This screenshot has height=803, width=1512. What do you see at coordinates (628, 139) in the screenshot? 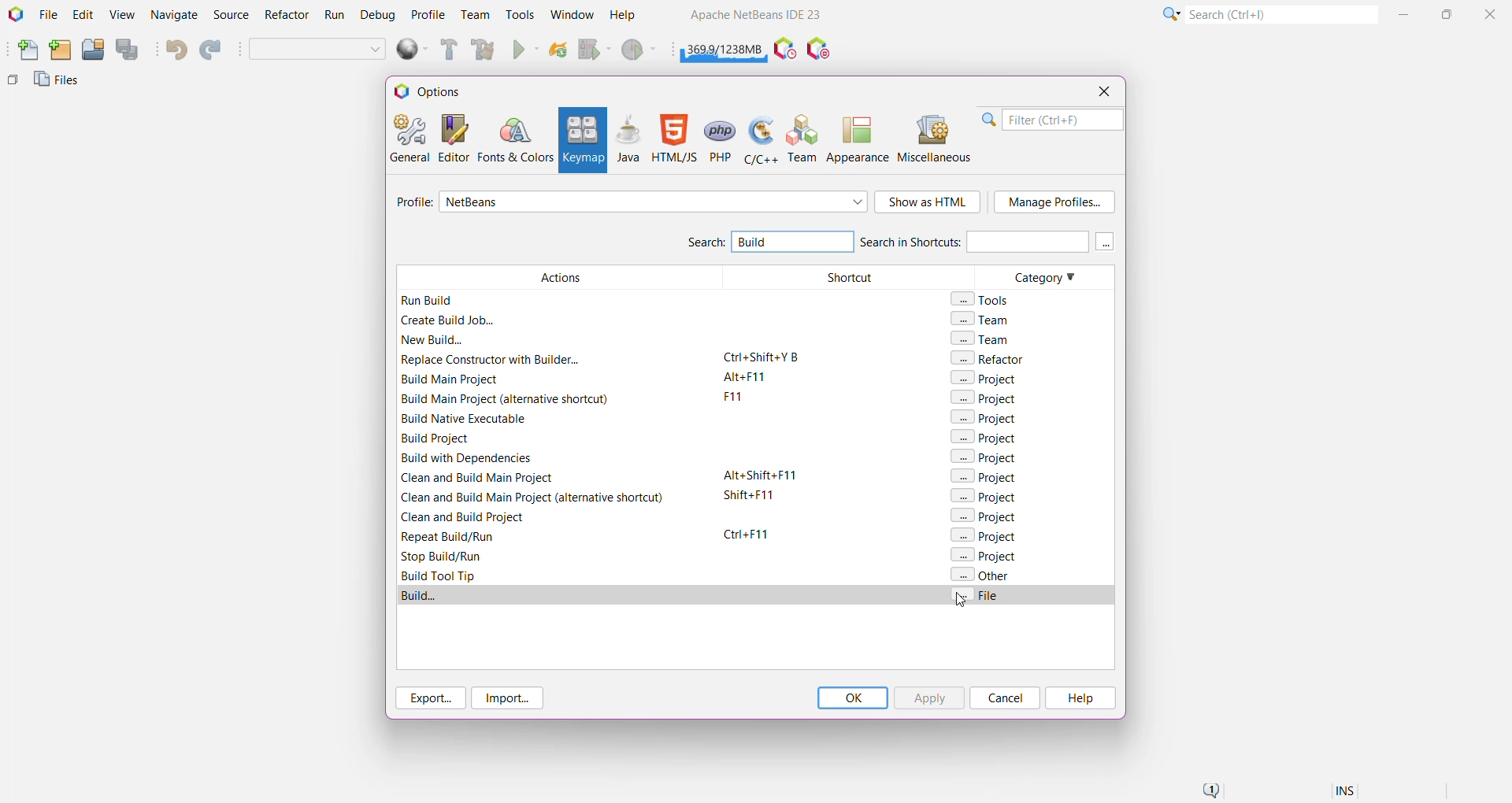
I see `Java` at bounding box center [628, 139].